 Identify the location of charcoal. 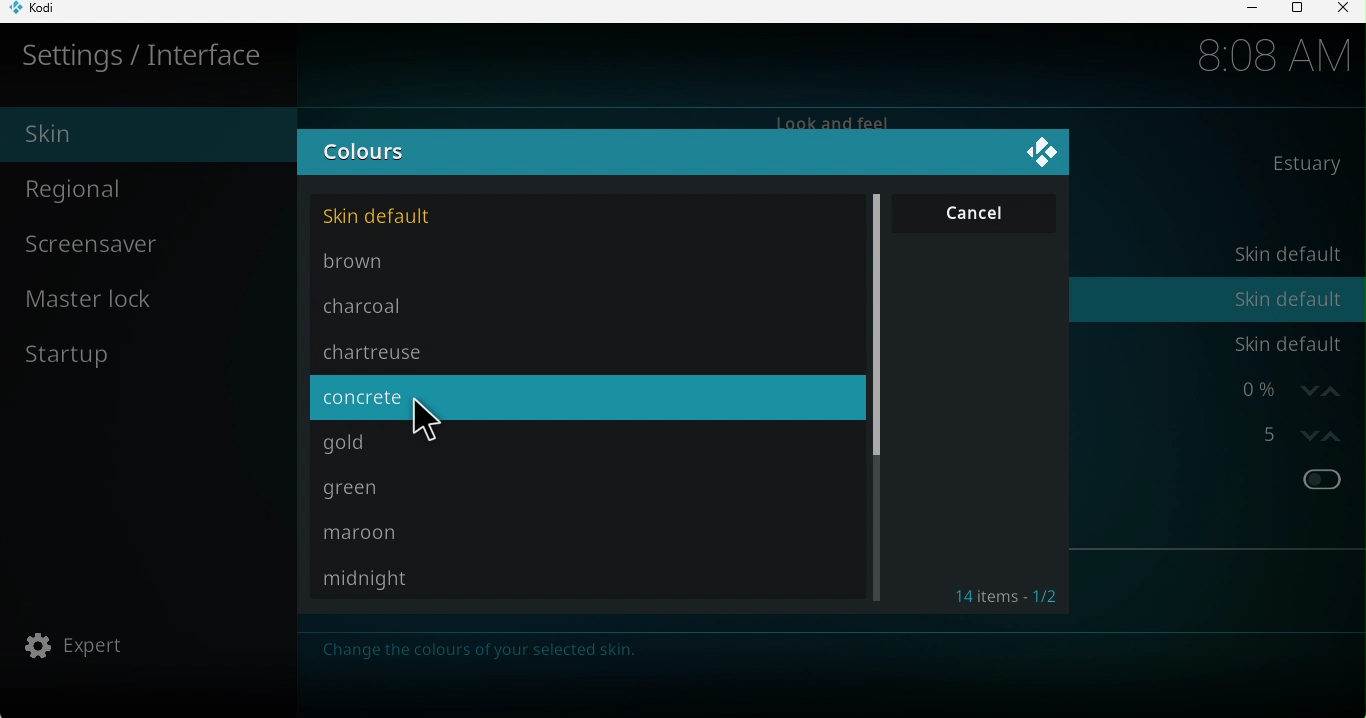
(580, 306).